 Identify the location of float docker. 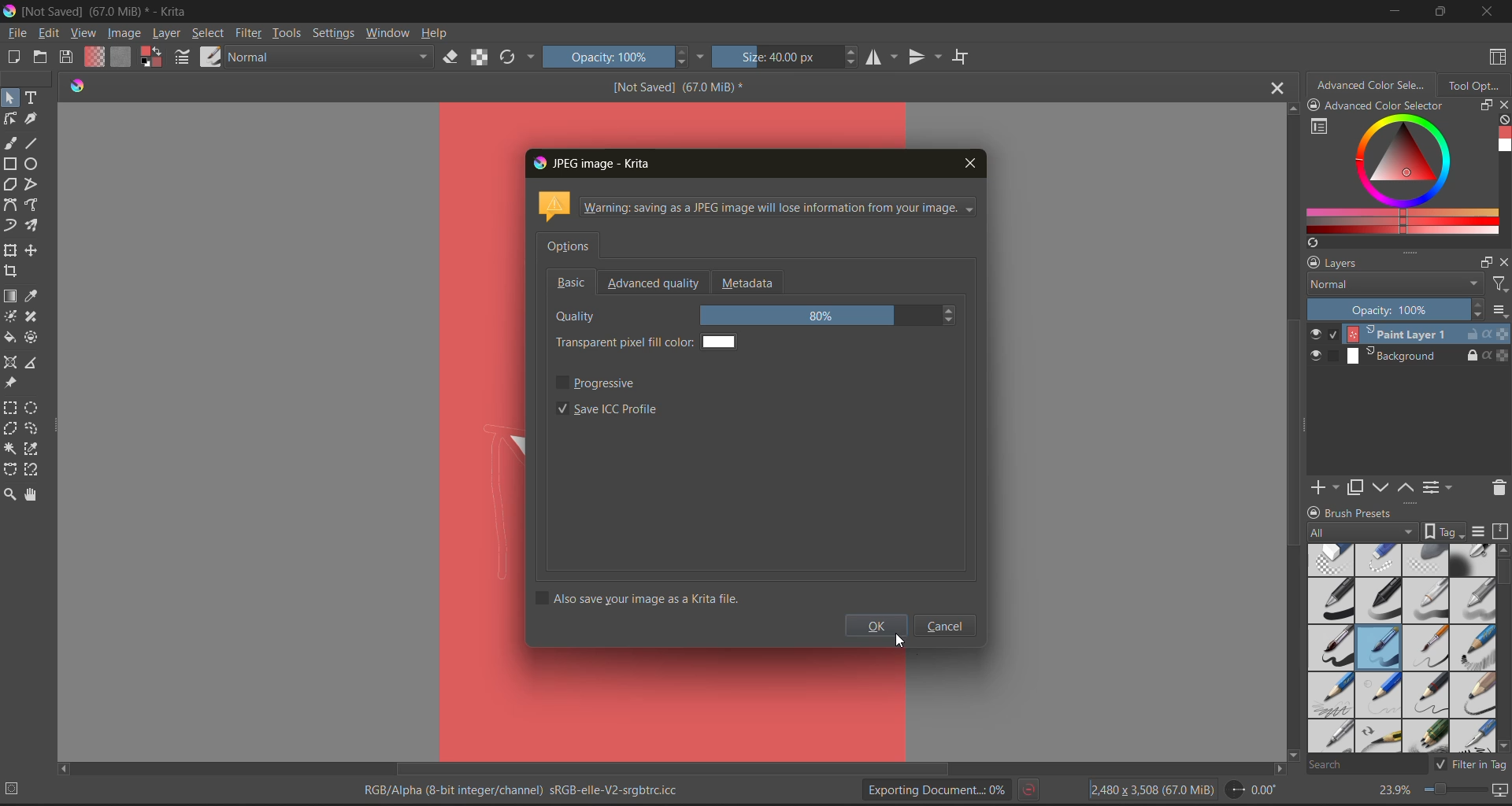
(1488, 262).